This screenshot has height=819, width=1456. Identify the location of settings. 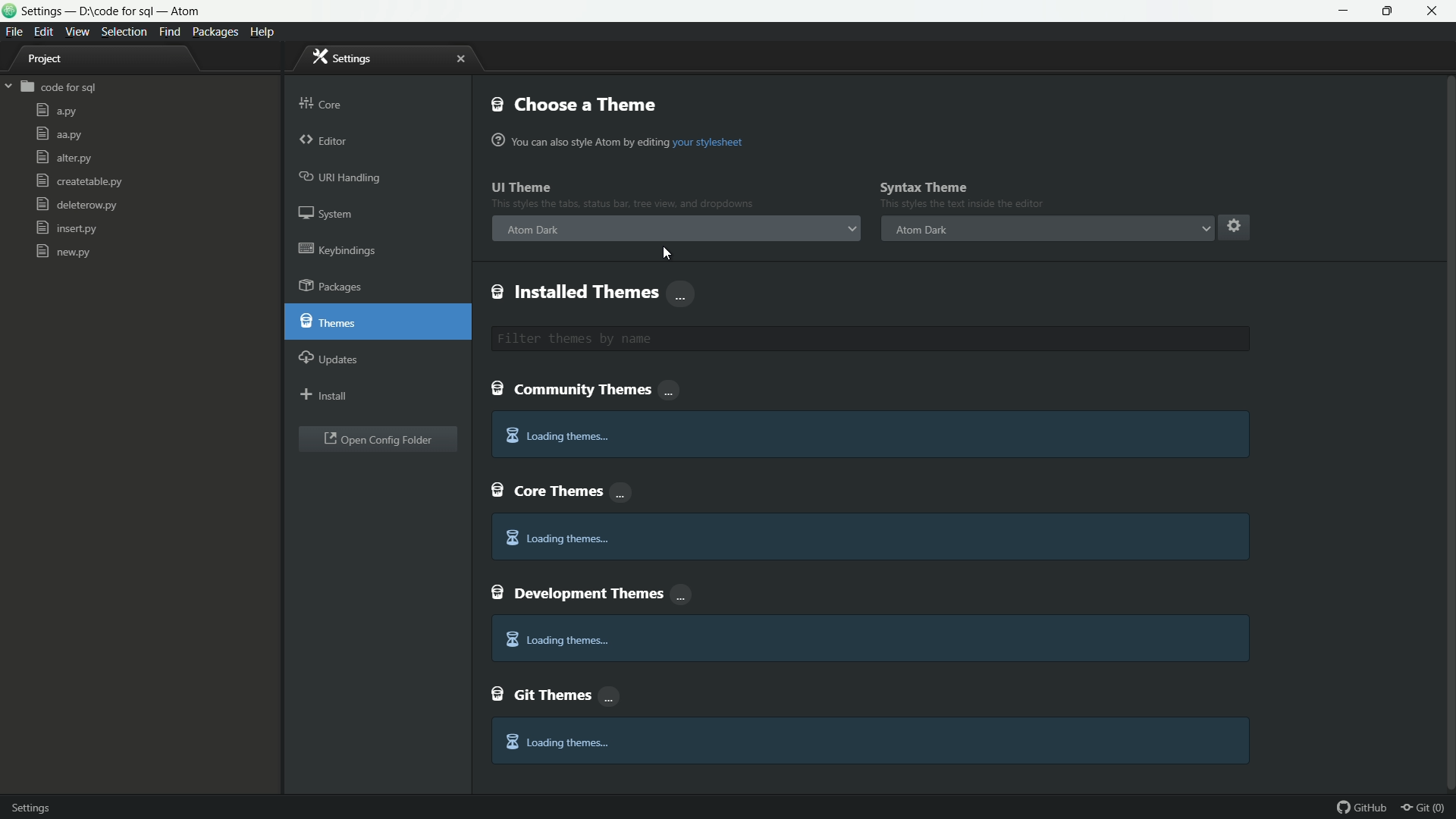
(347, 58).